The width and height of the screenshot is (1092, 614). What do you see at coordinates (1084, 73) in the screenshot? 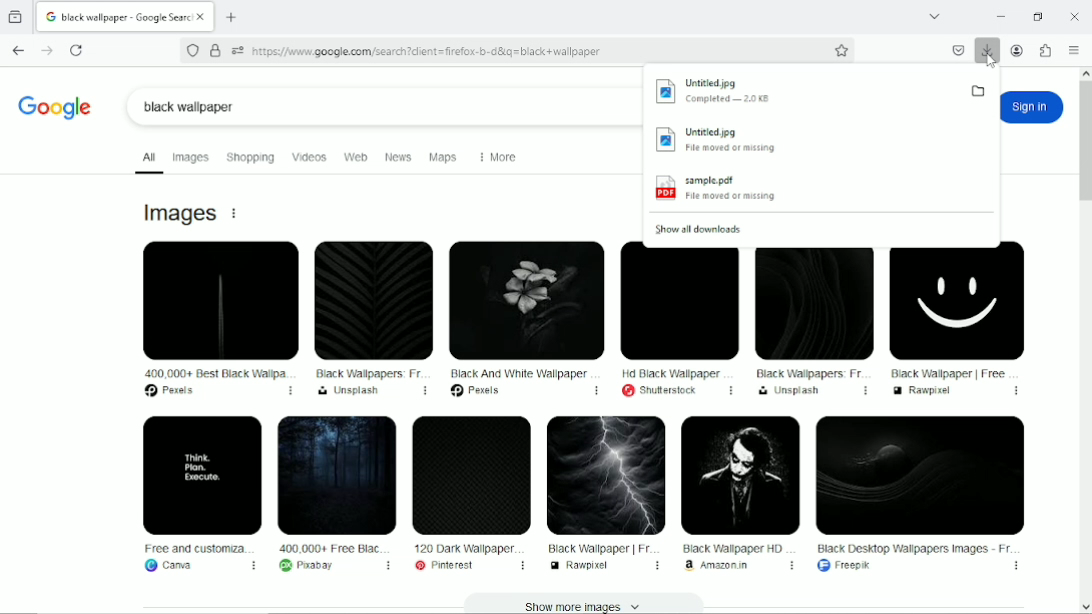
I see `scroll up ` at bounding box center [1084, 73].